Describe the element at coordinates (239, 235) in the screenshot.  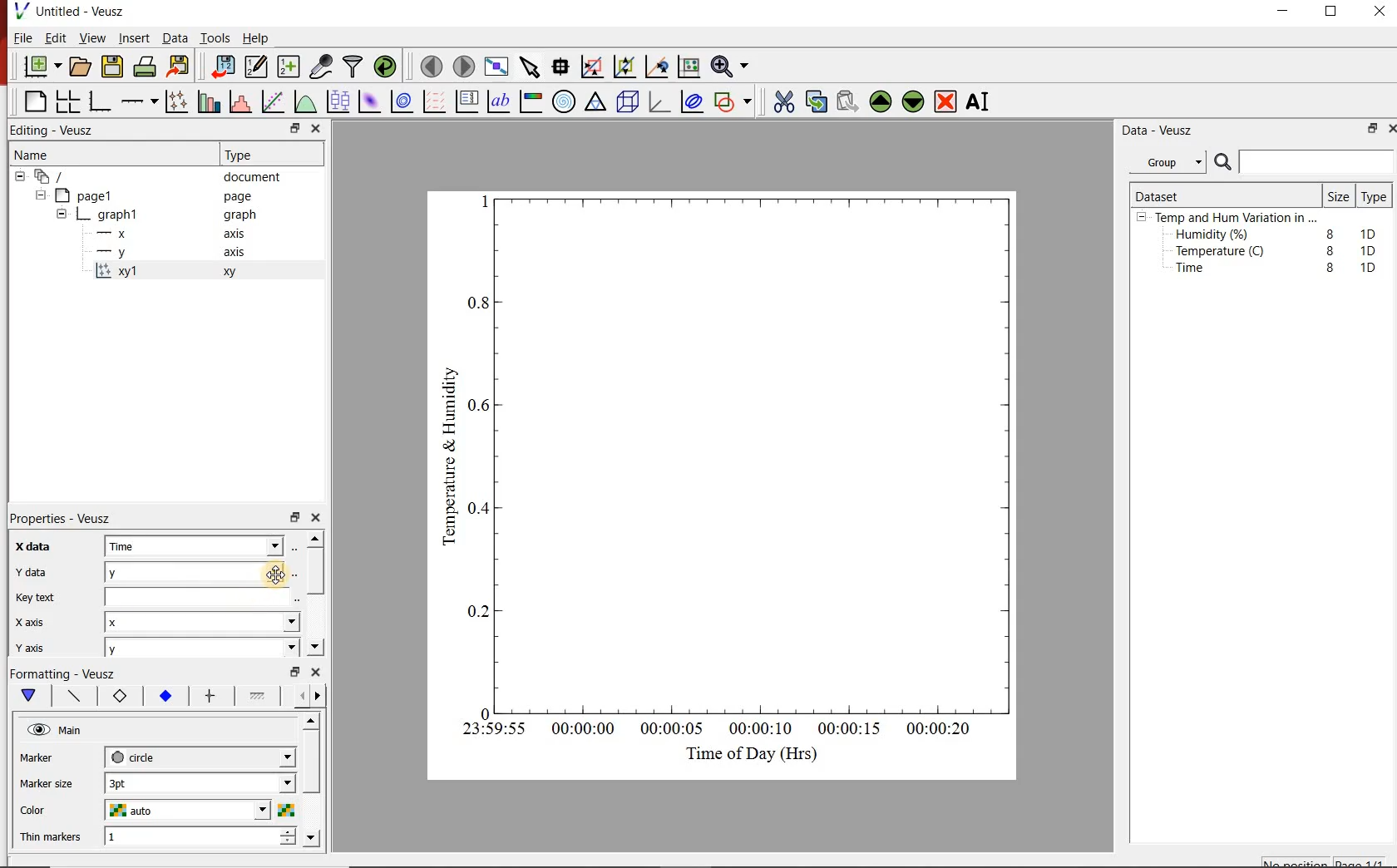
I see `axis` at that location.